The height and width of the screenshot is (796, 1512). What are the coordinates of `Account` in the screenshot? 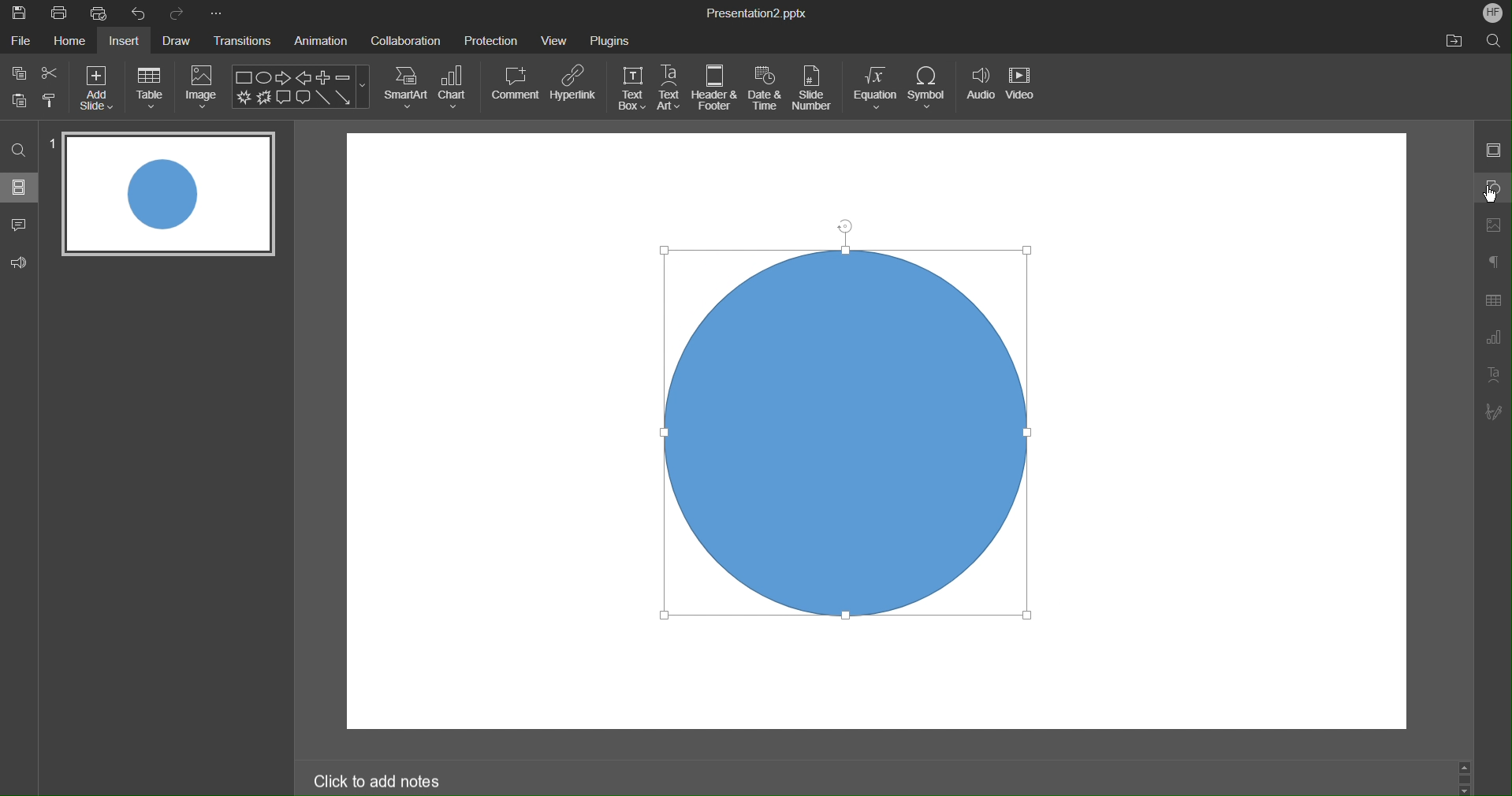 It's located at (1490, 12).